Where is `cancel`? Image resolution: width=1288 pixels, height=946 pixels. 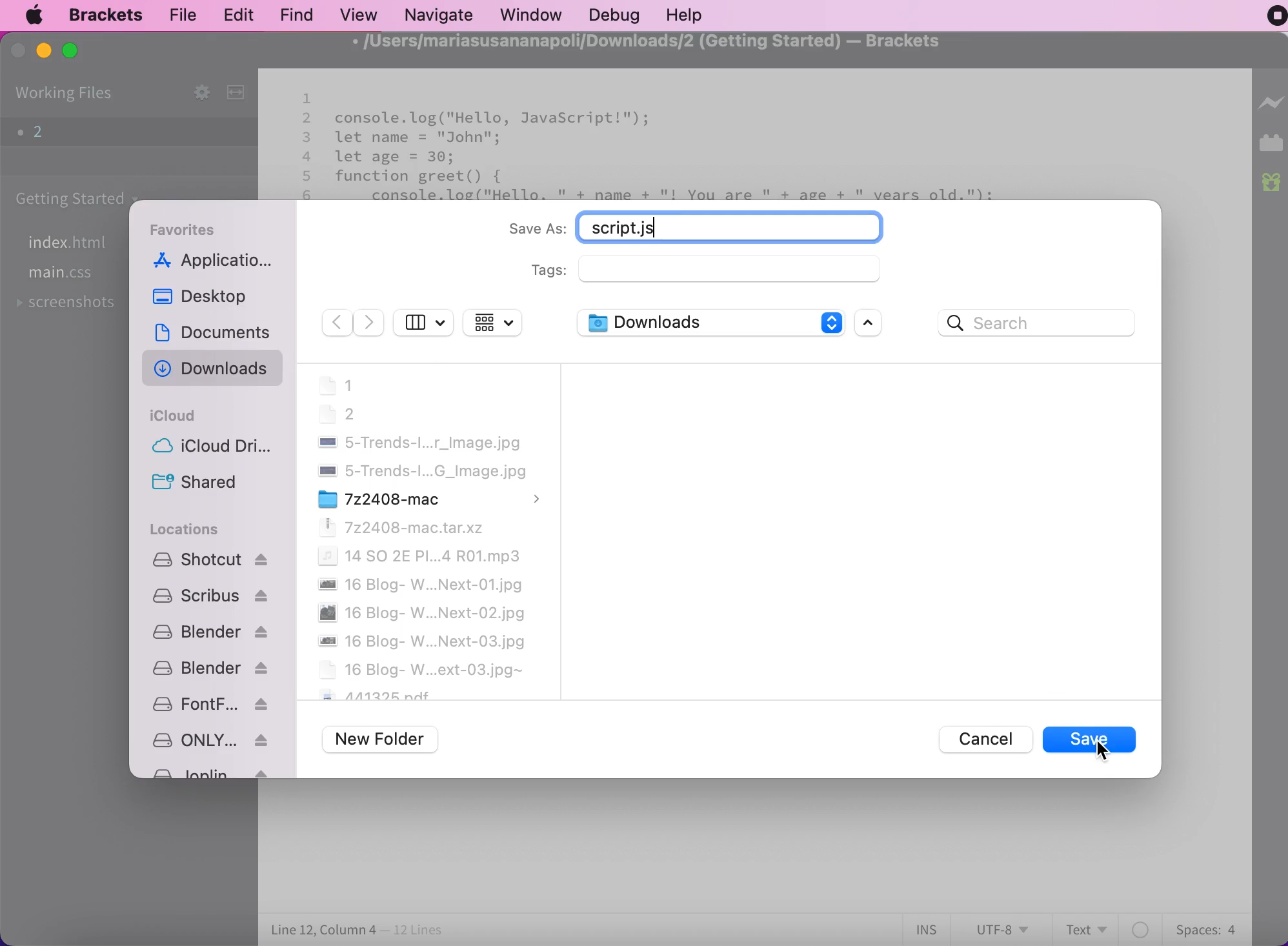
cancel is located at coordinates (977, 737).